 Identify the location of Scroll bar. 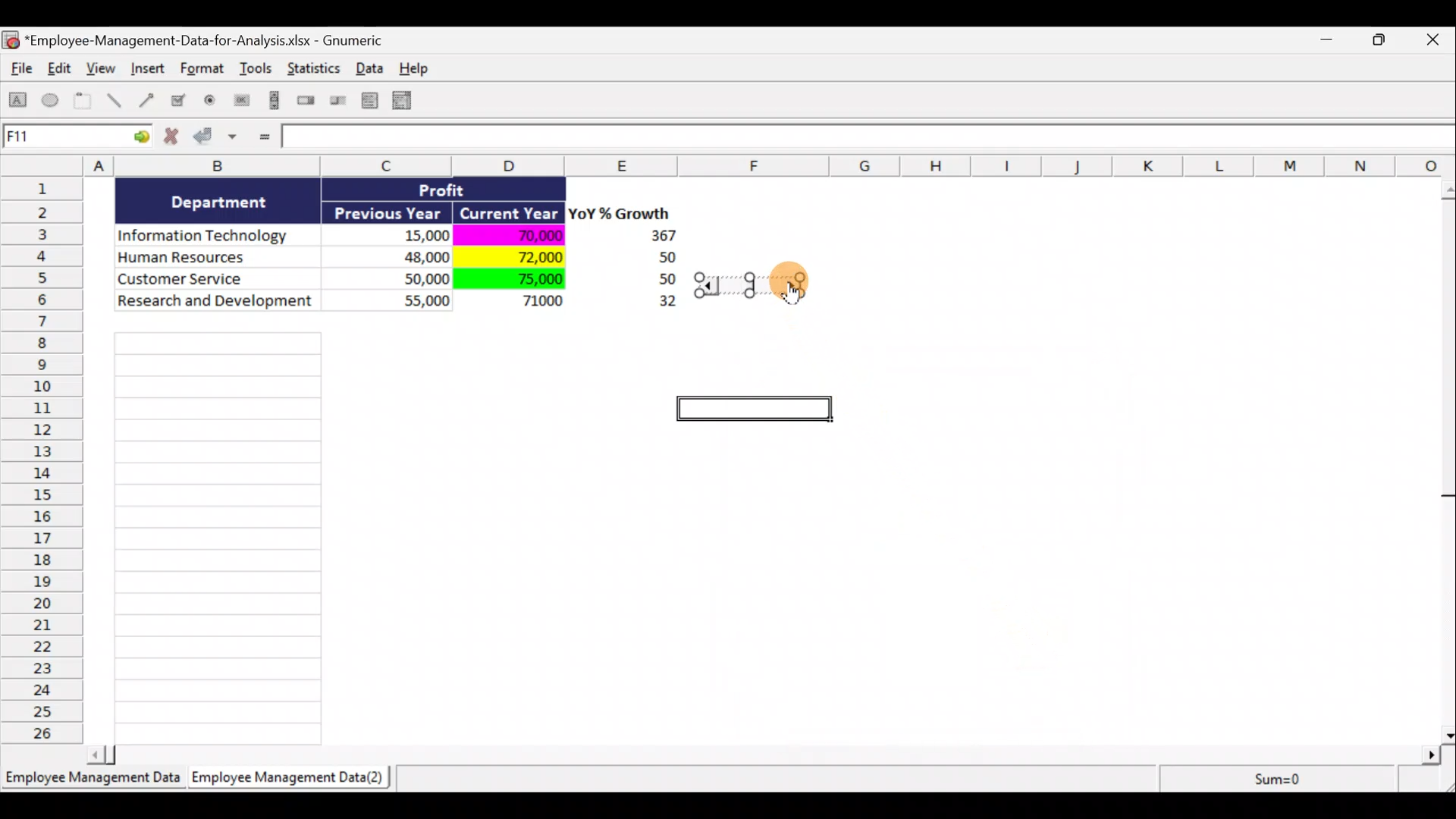
(769, 752).